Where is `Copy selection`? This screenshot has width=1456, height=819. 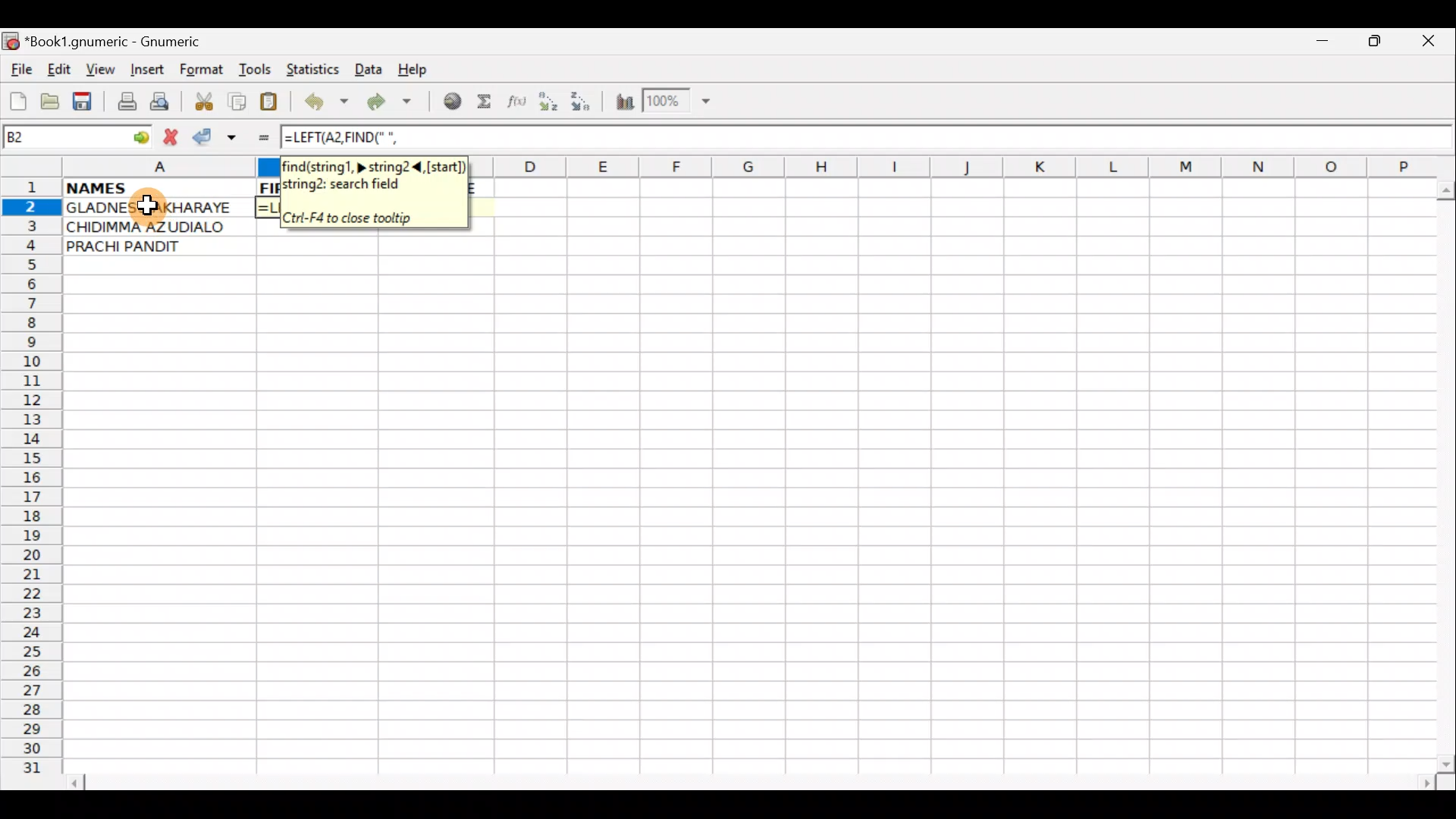 Copy selection is located at coordinates (238, 101).